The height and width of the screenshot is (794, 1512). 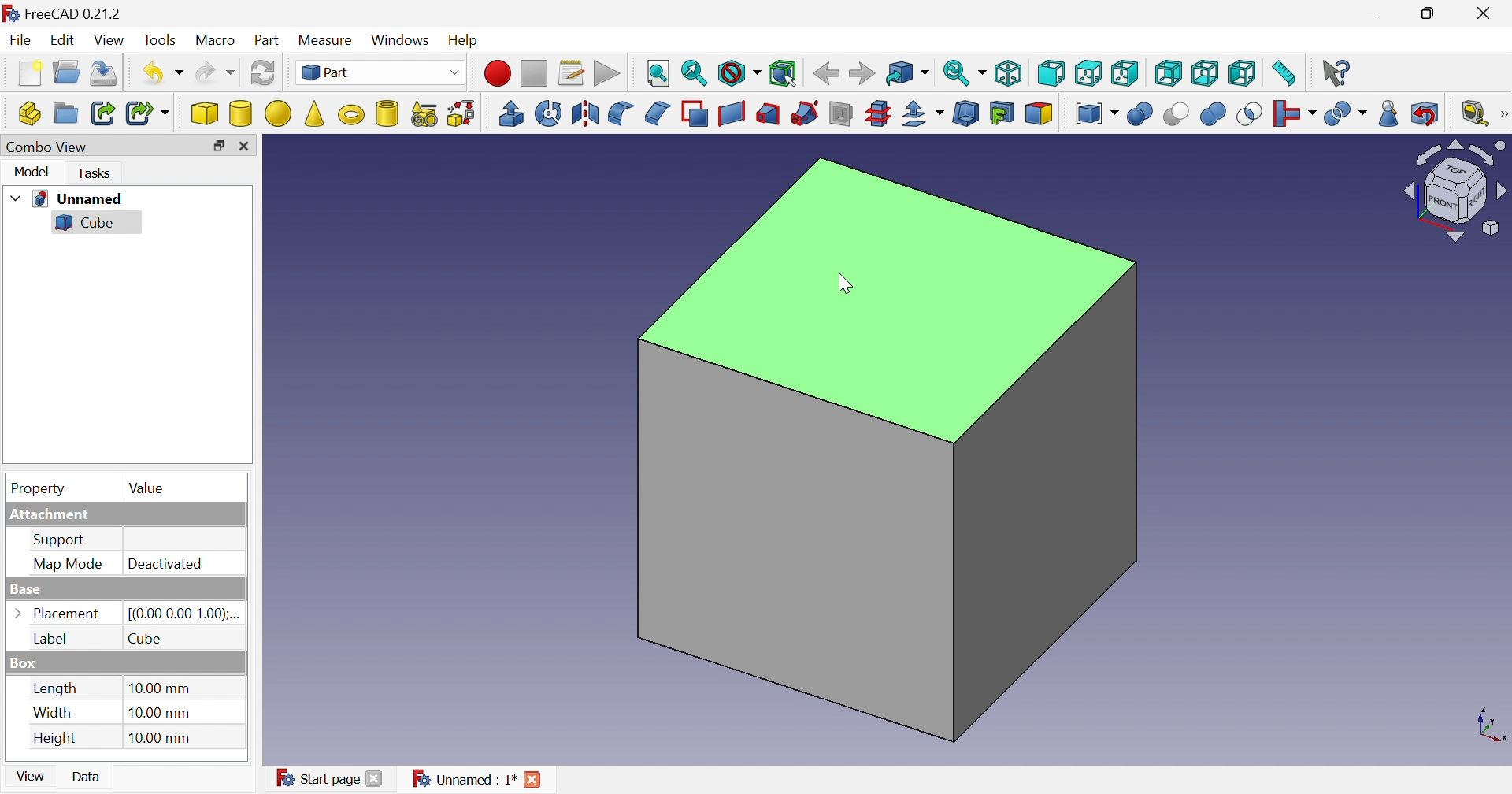 What do you see at coordinates (863, 72) in the screenshot?
I see `Forward` at bounding box center [863, 72].